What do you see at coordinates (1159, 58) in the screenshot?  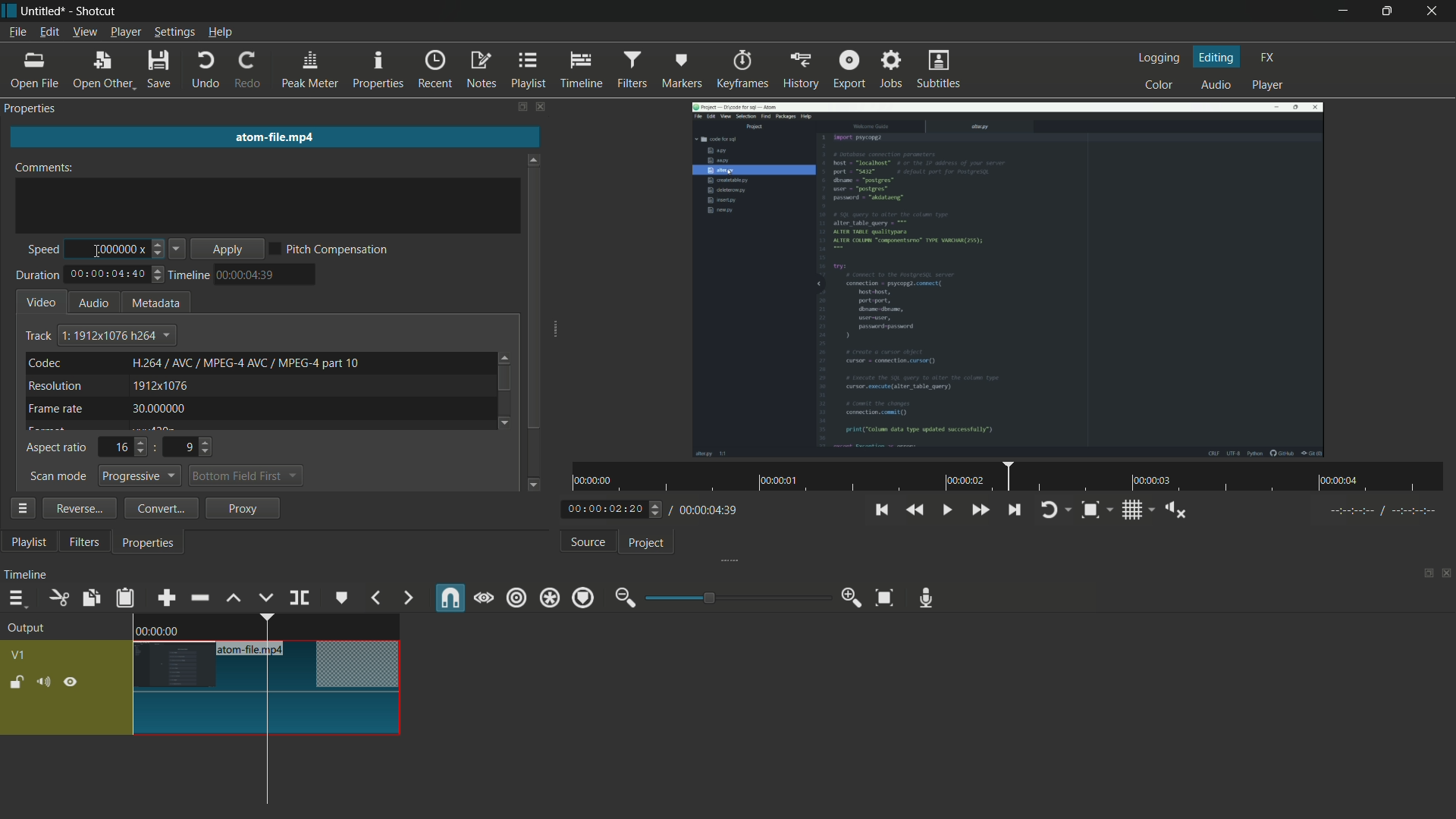 I see `logging` at bounding box center [1159, 58].